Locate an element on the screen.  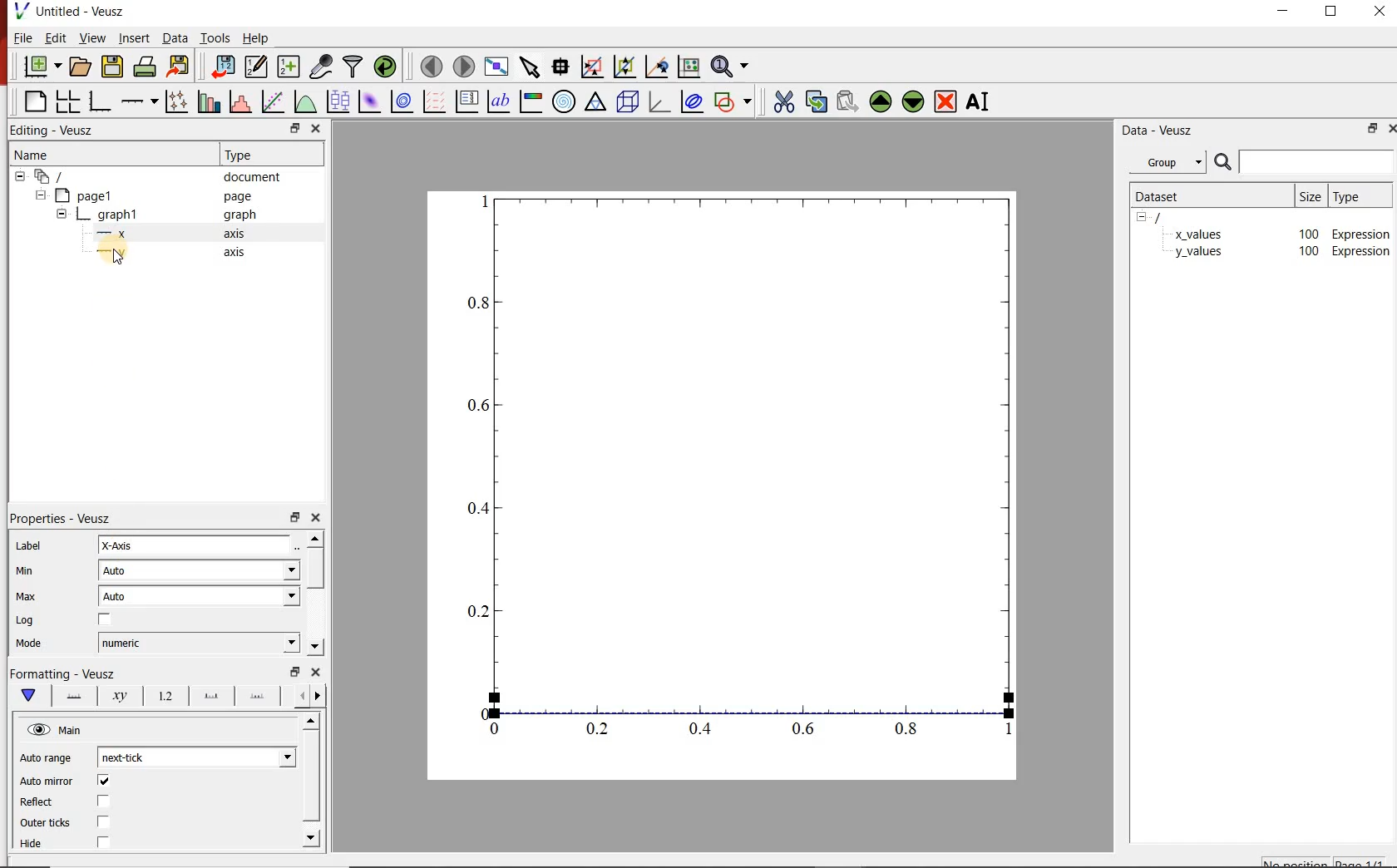
vertical scrollbar is located at coordinates (309, 777).